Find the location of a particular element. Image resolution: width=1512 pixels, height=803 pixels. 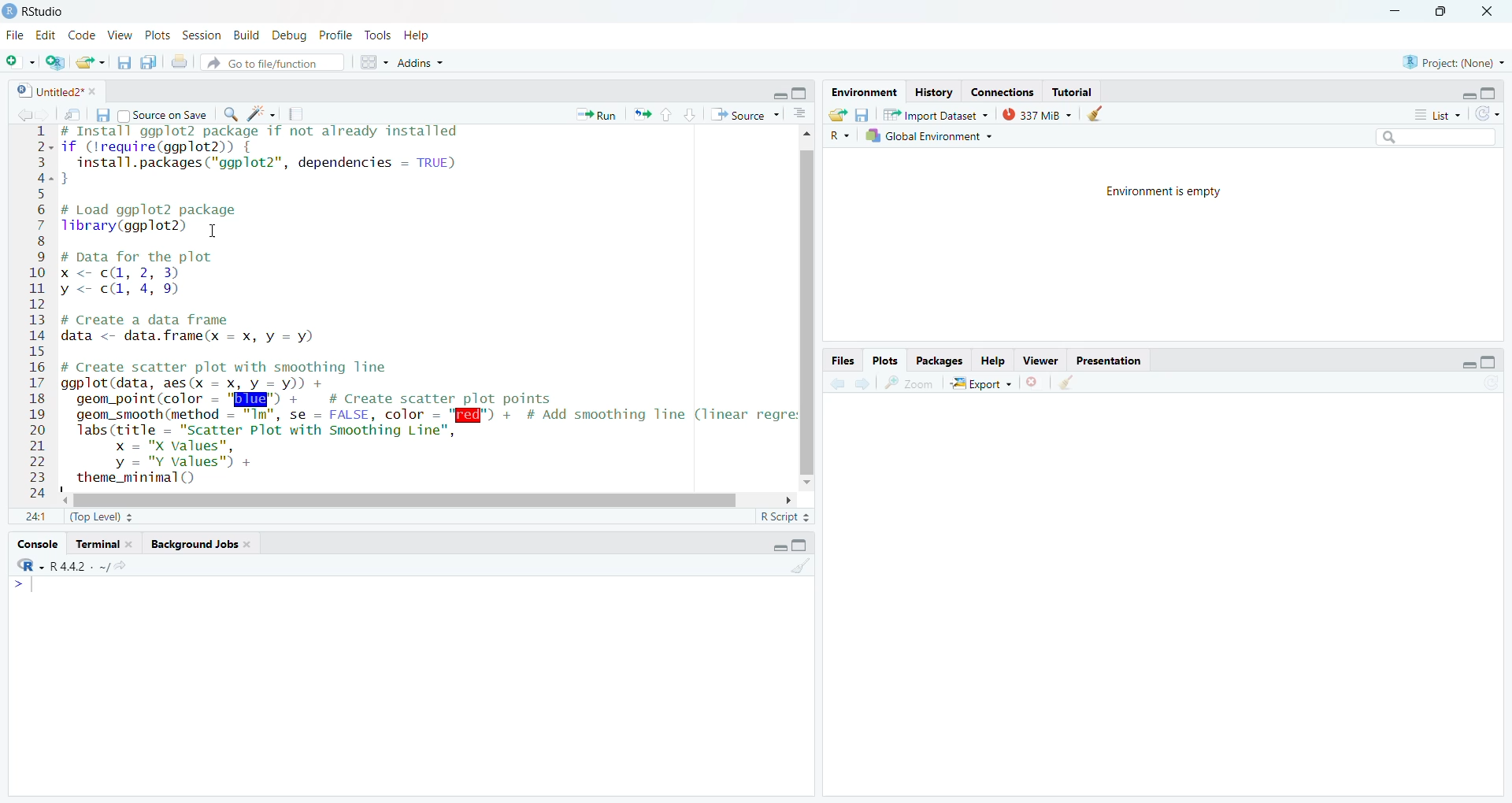

re run the previous code is located at coordinates (639, 114).